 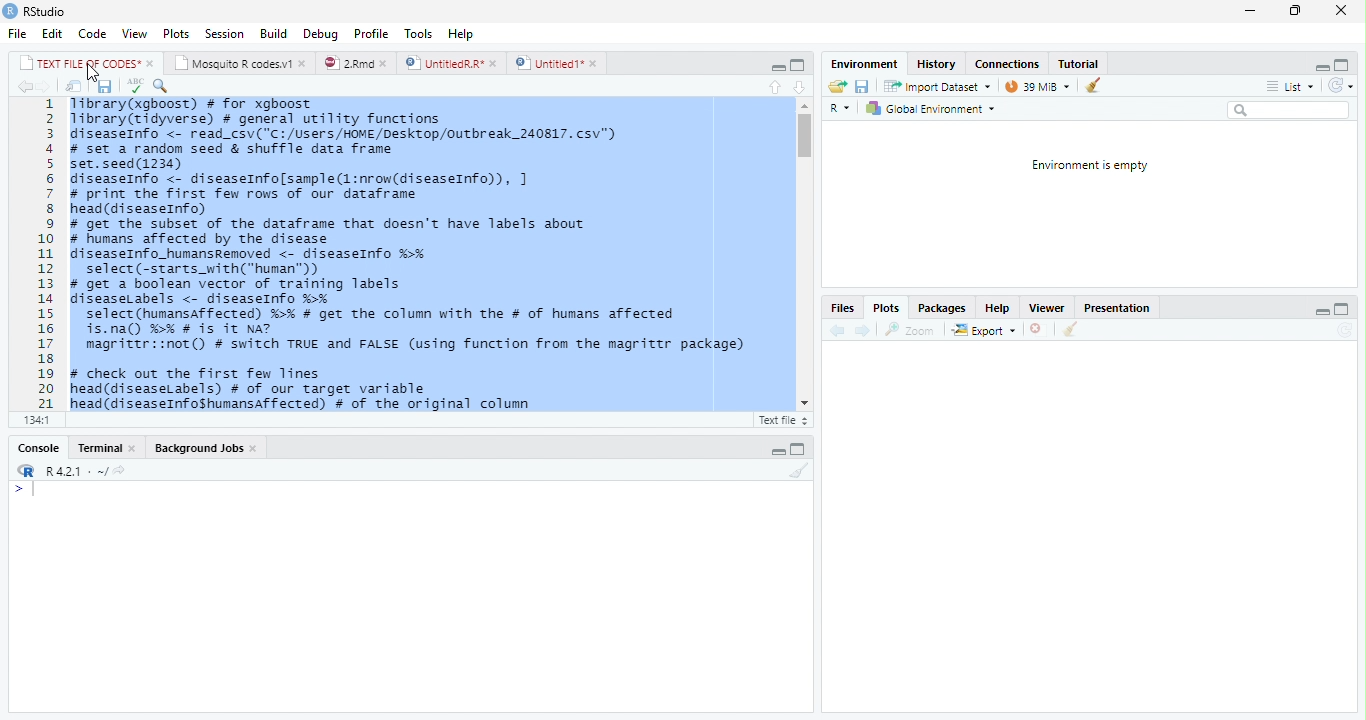 I want to click on Help, so click(x=463, y=36).